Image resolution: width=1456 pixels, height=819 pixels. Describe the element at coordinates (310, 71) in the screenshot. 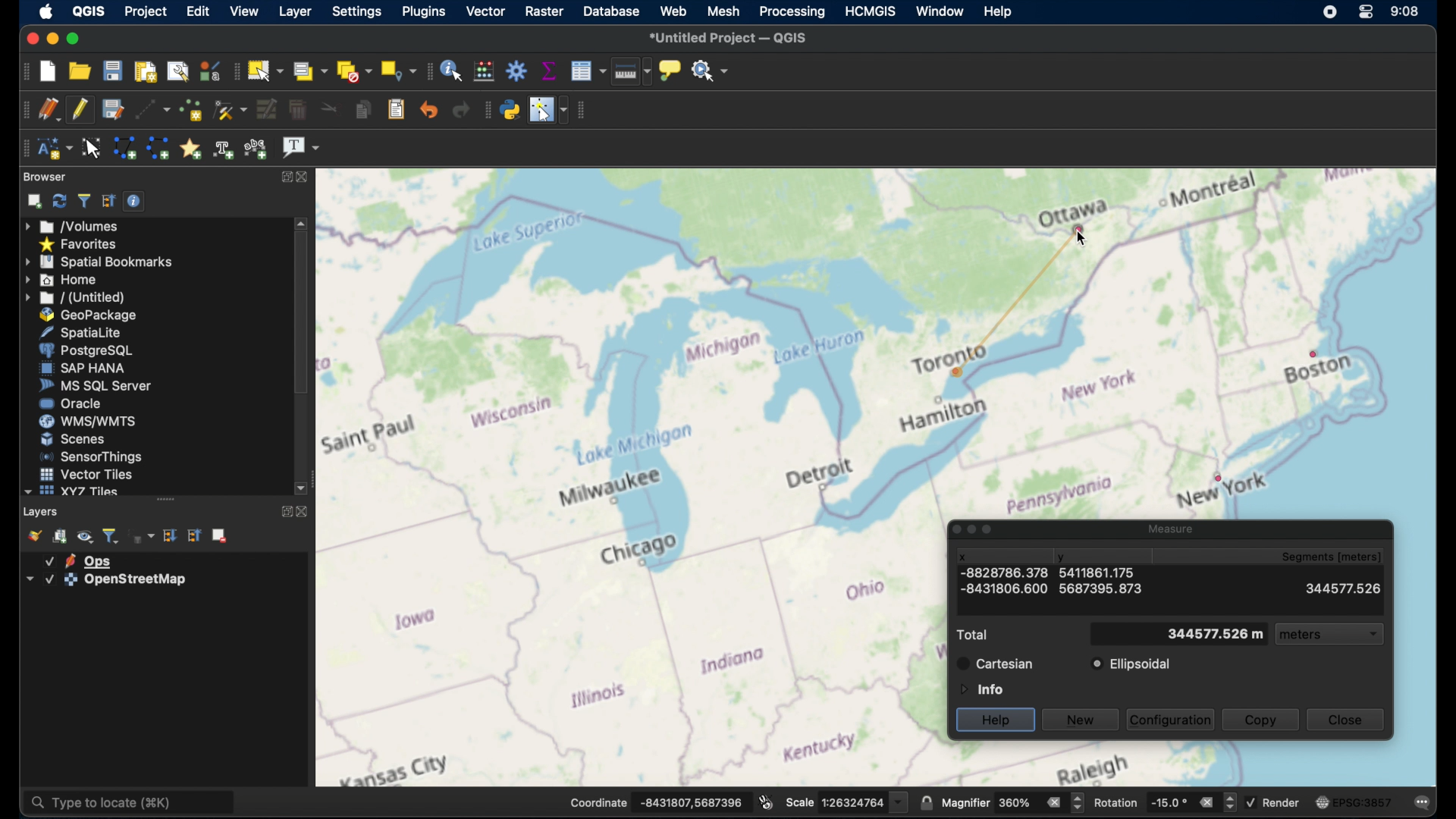

I see `select features by value` at that location.